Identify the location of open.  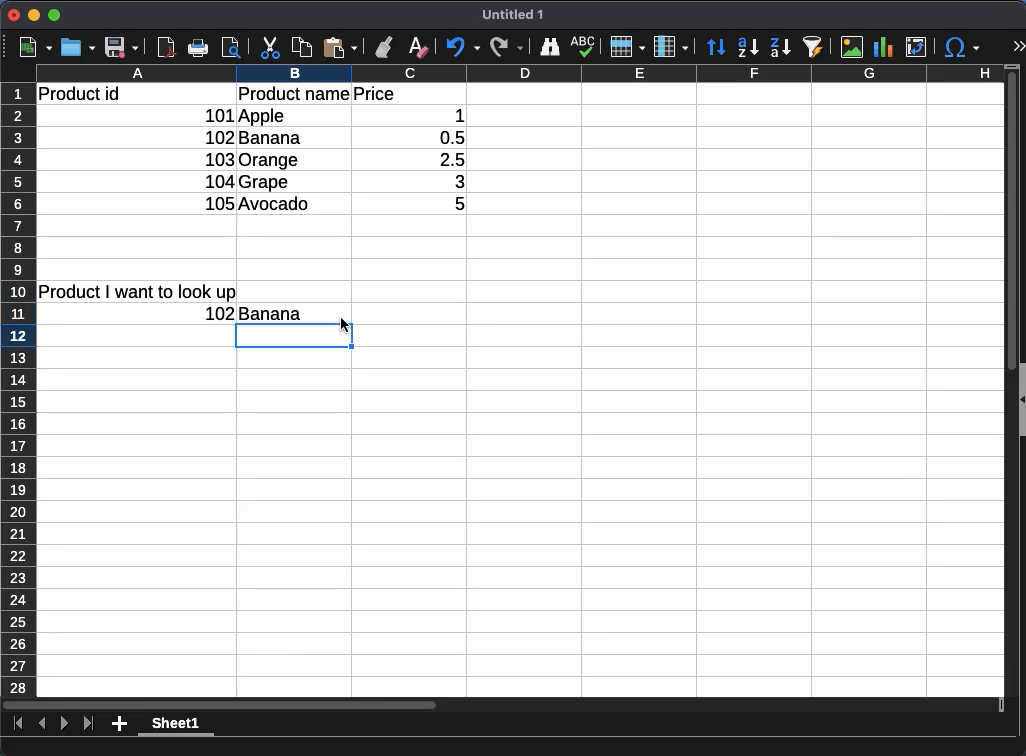
(78, 47).